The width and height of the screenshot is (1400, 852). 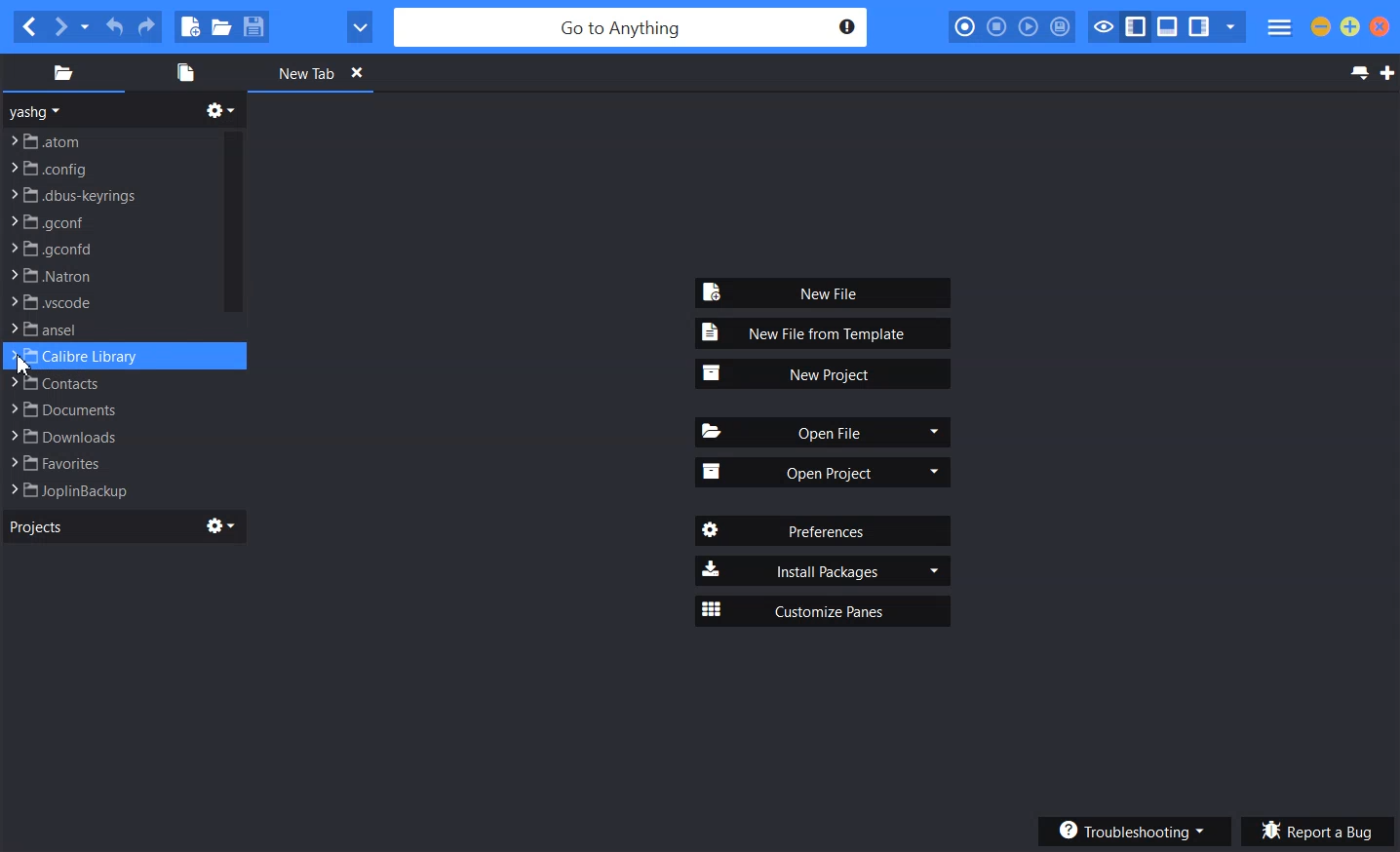 I want to click on New File from Template, so click(x=824, y=333).